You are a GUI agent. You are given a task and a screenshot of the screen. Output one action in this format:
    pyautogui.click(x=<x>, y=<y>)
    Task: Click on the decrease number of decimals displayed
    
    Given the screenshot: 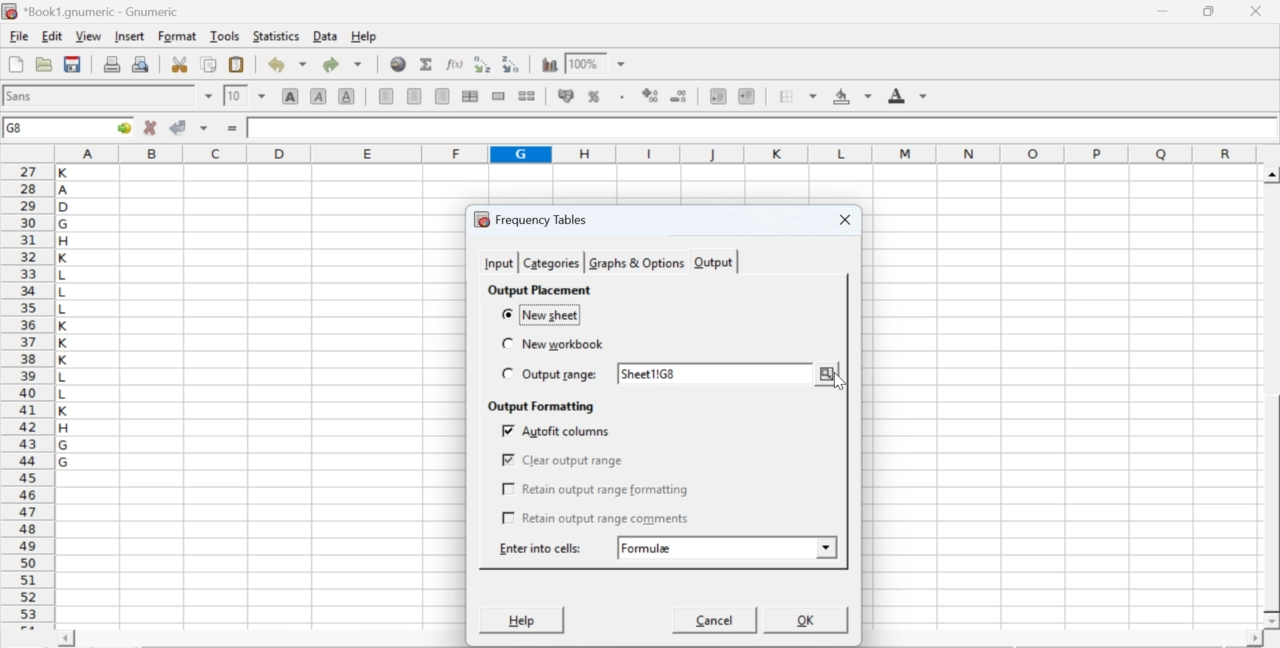 What is the action you would take?
    pyautogui.click(x=678, y=97)
    